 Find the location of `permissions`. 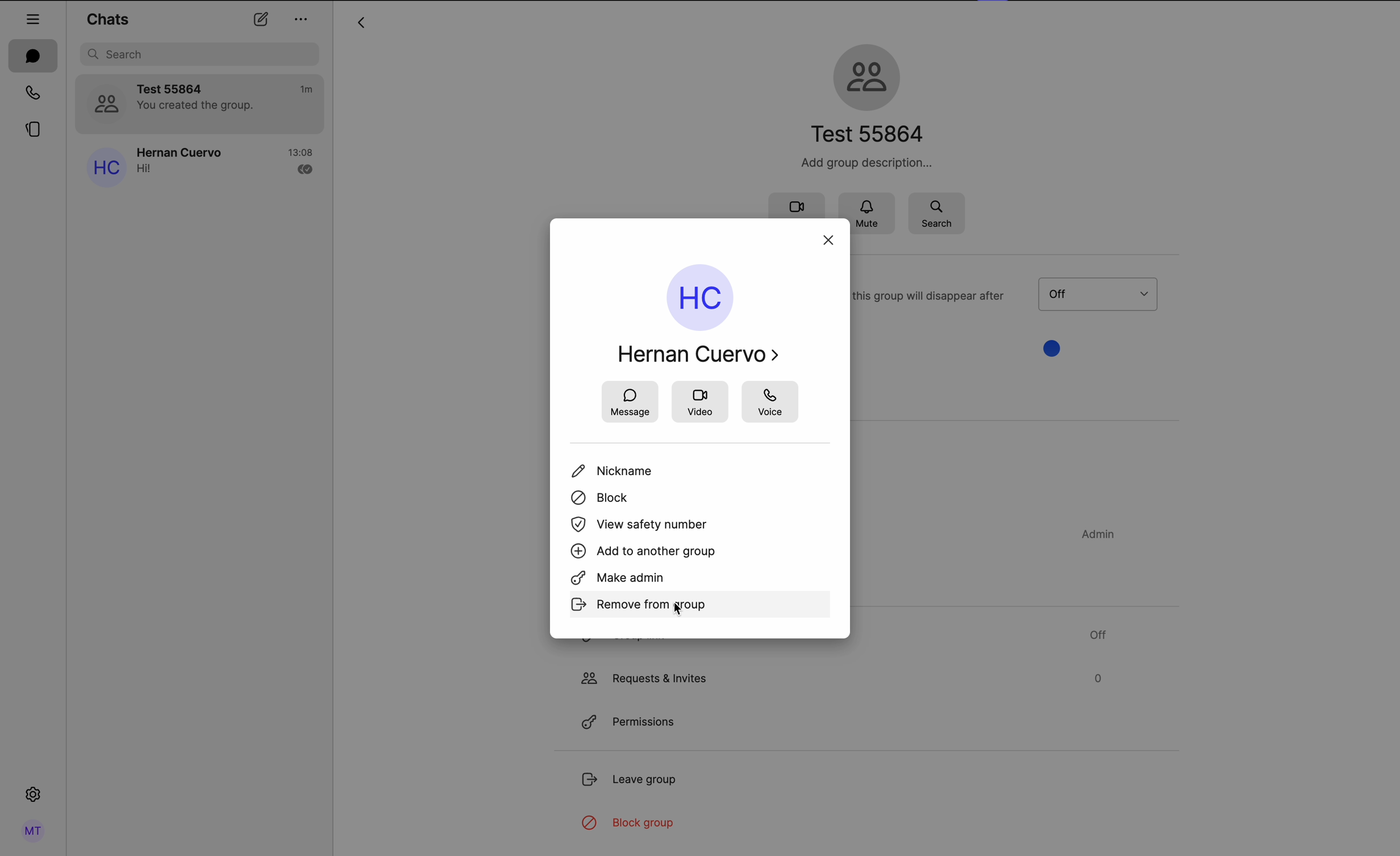

permissions is located at coordinates (626, 723).